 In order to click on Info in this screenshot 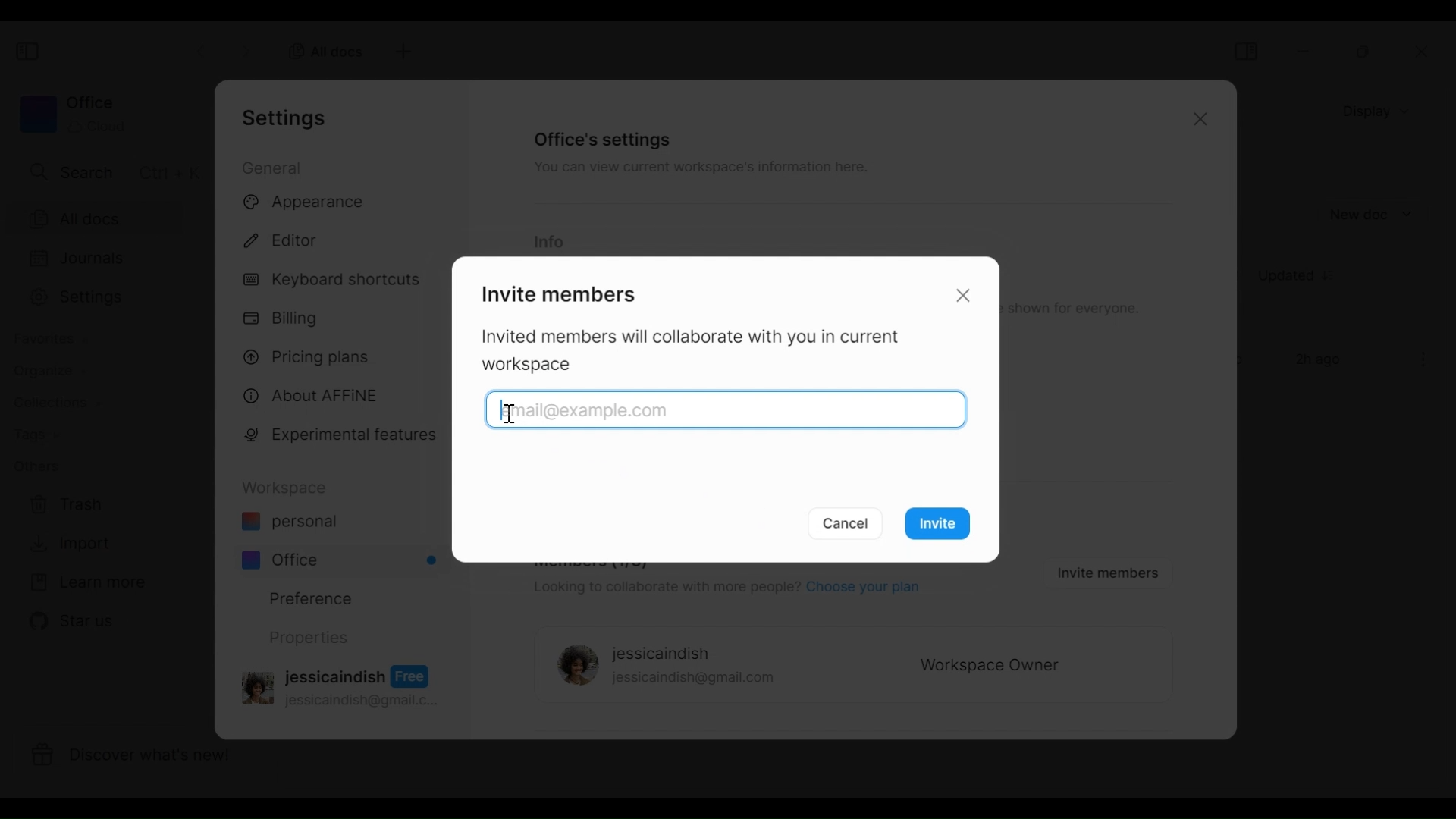, I will do `click(548, 243)`.